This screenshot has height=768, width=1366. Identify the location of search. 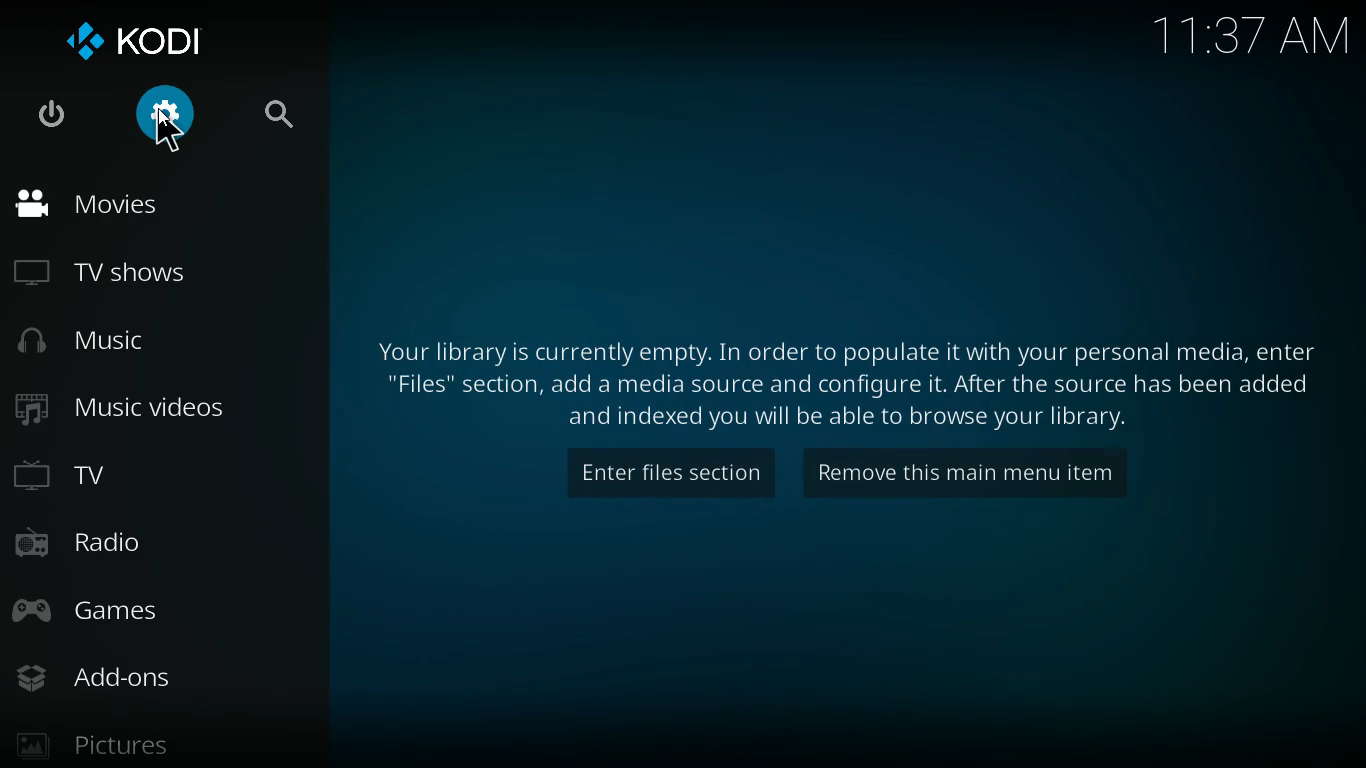
(279, 115).